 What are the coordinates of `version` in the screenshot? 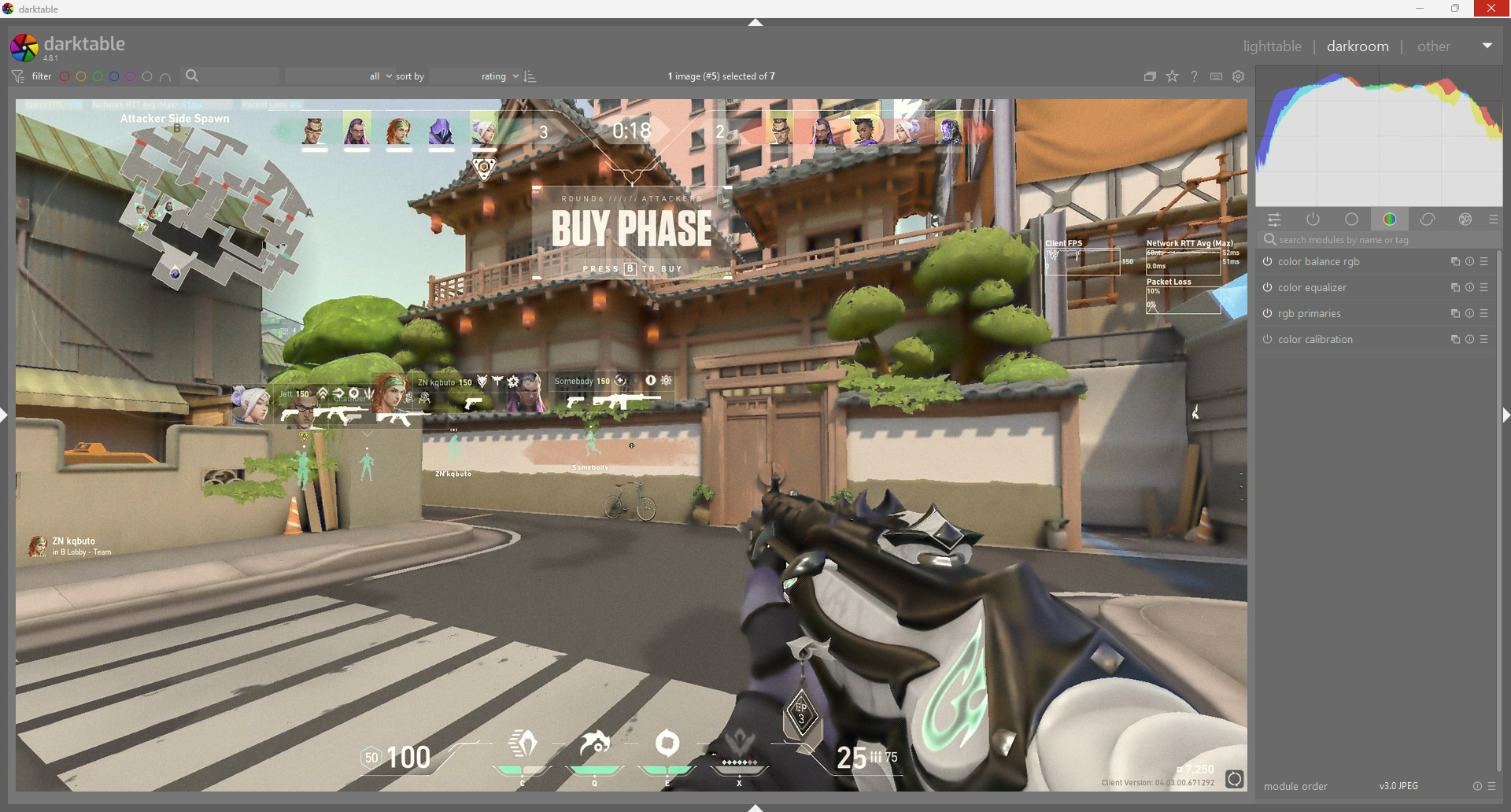 It's located at (1400, 784).